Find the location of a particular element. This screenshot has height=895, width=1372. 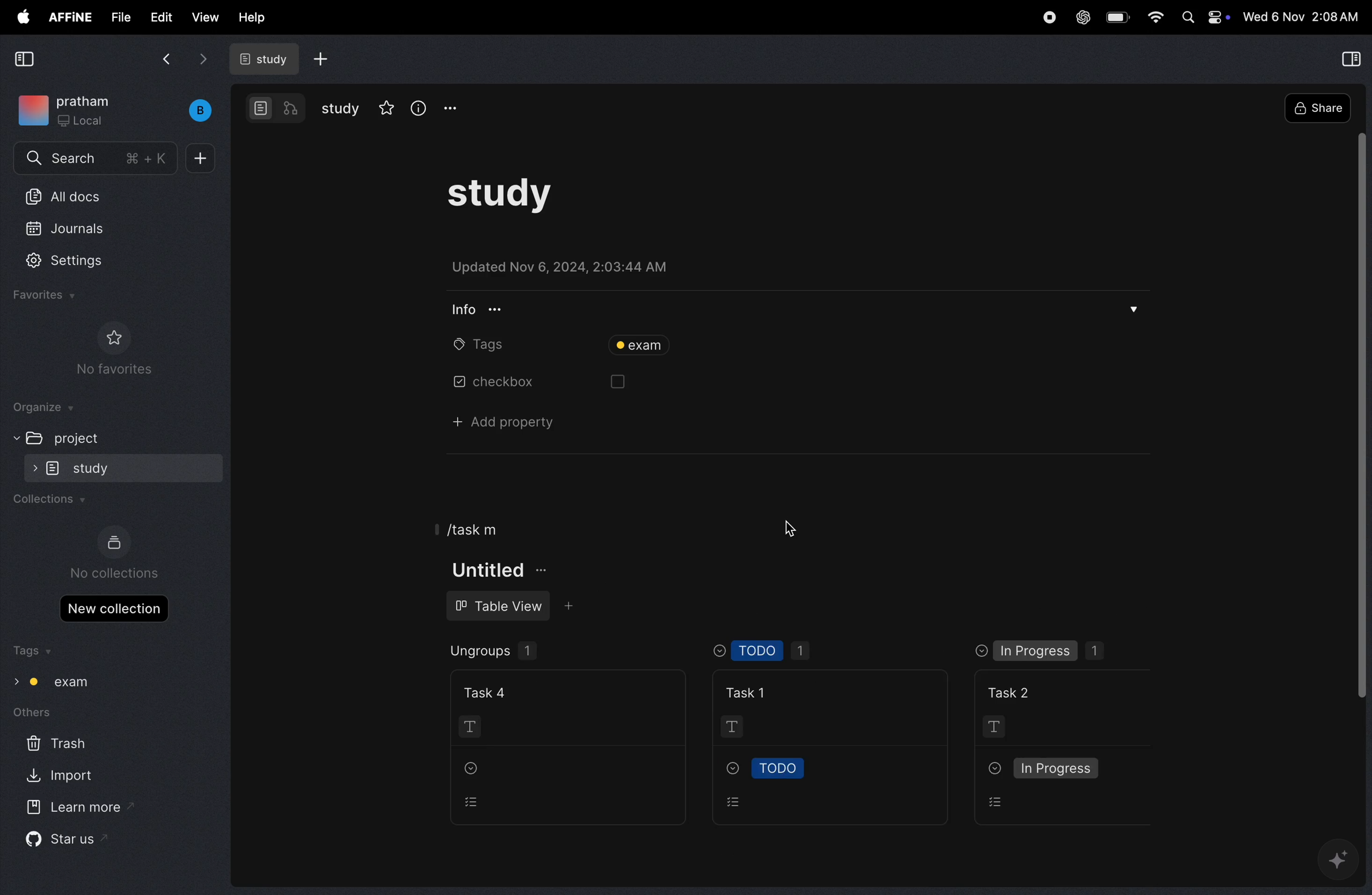

cursor is located at coordinates (791, 530).